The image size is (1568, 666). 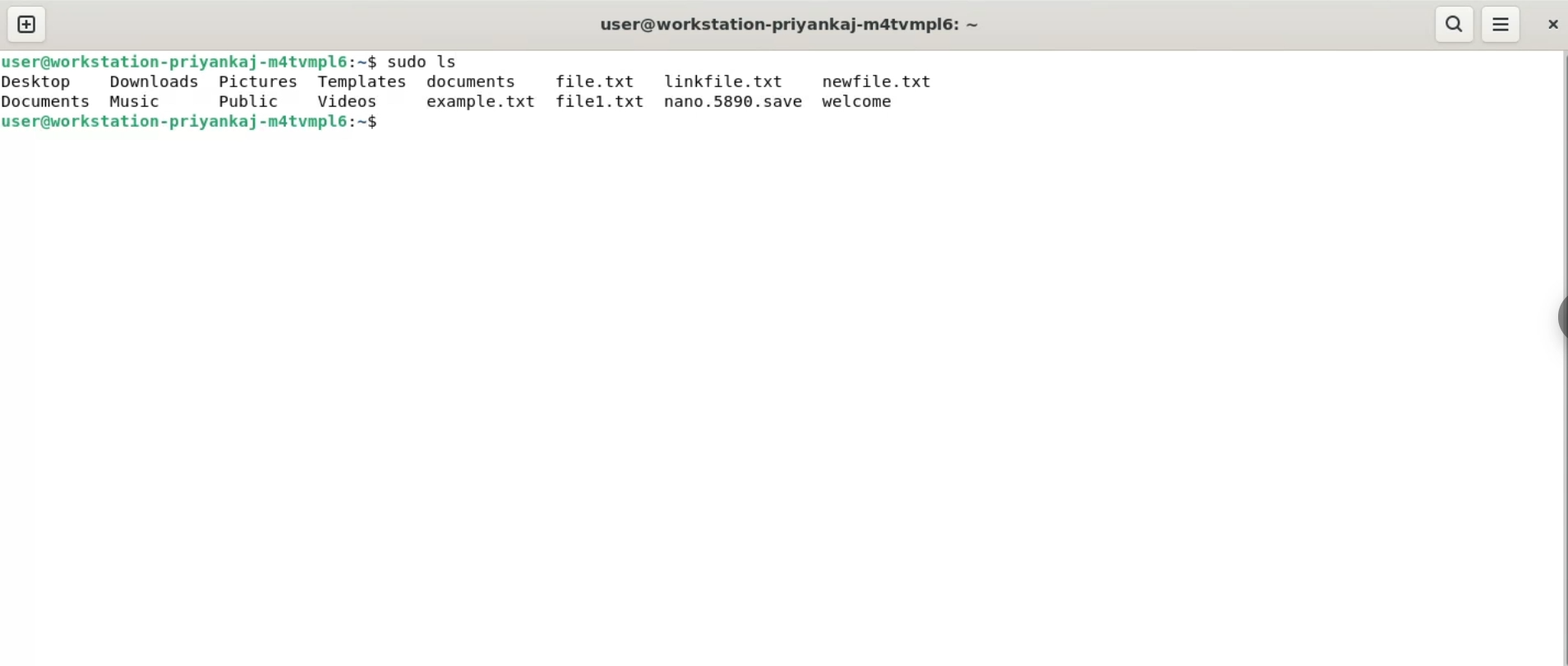 I want to click on nano, so click(x=734, y=104).